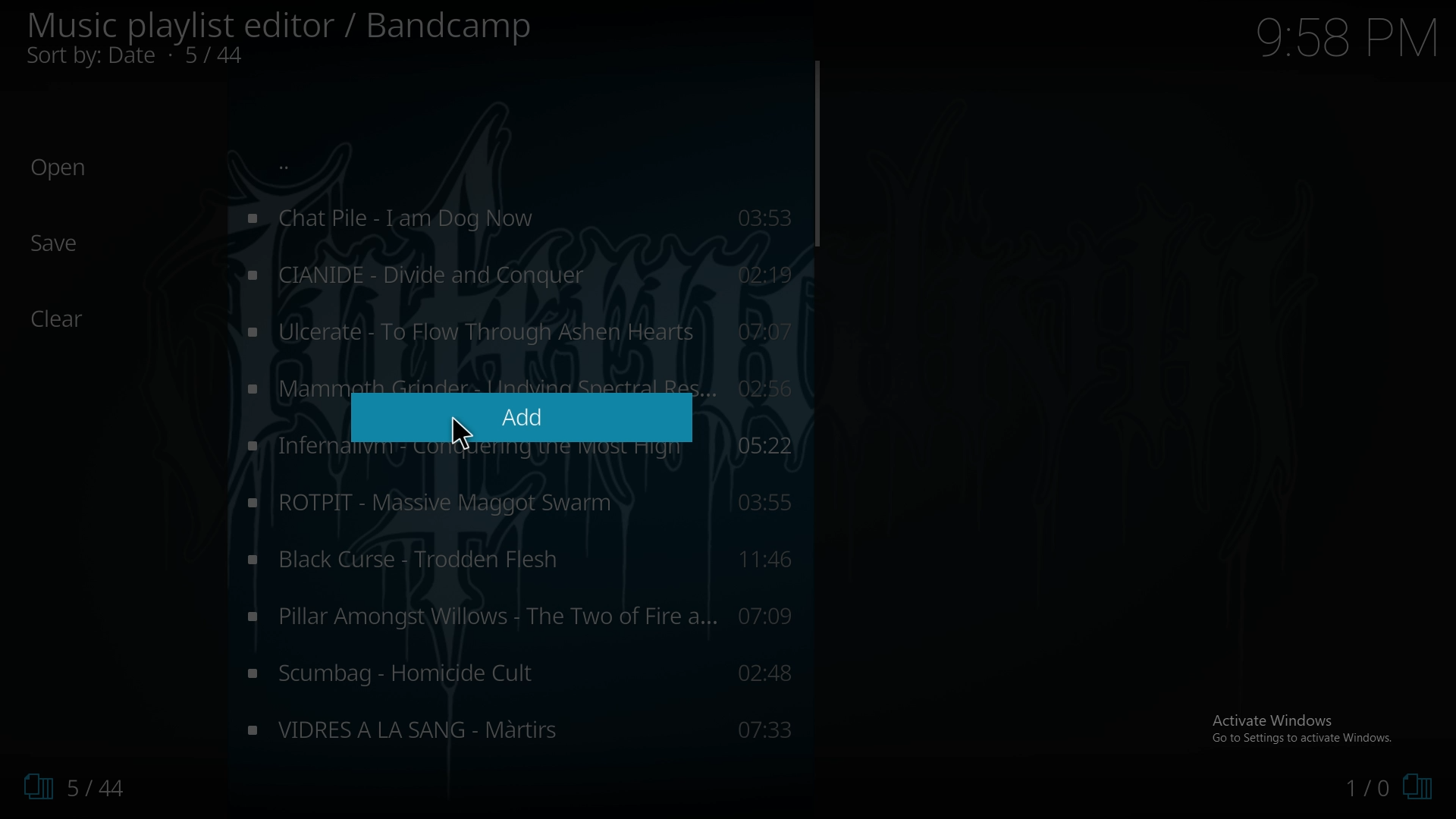  What do you see at coordinates (521, 673) in the screenshot?
I see `music` at bounding box center [521, 673].